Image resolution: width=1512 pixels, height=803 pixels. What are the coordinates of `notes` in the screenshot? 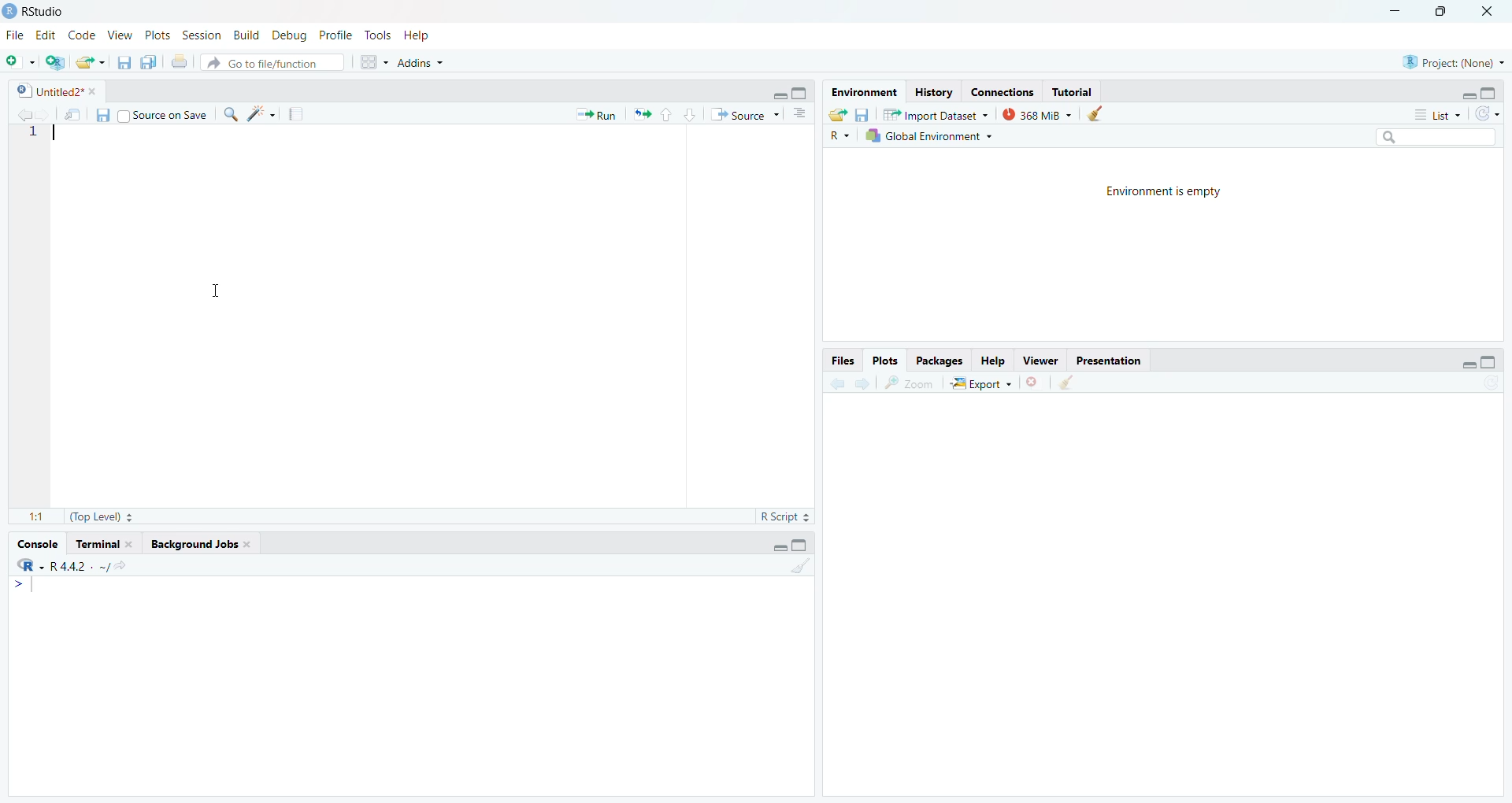 It's located at (301, 115).